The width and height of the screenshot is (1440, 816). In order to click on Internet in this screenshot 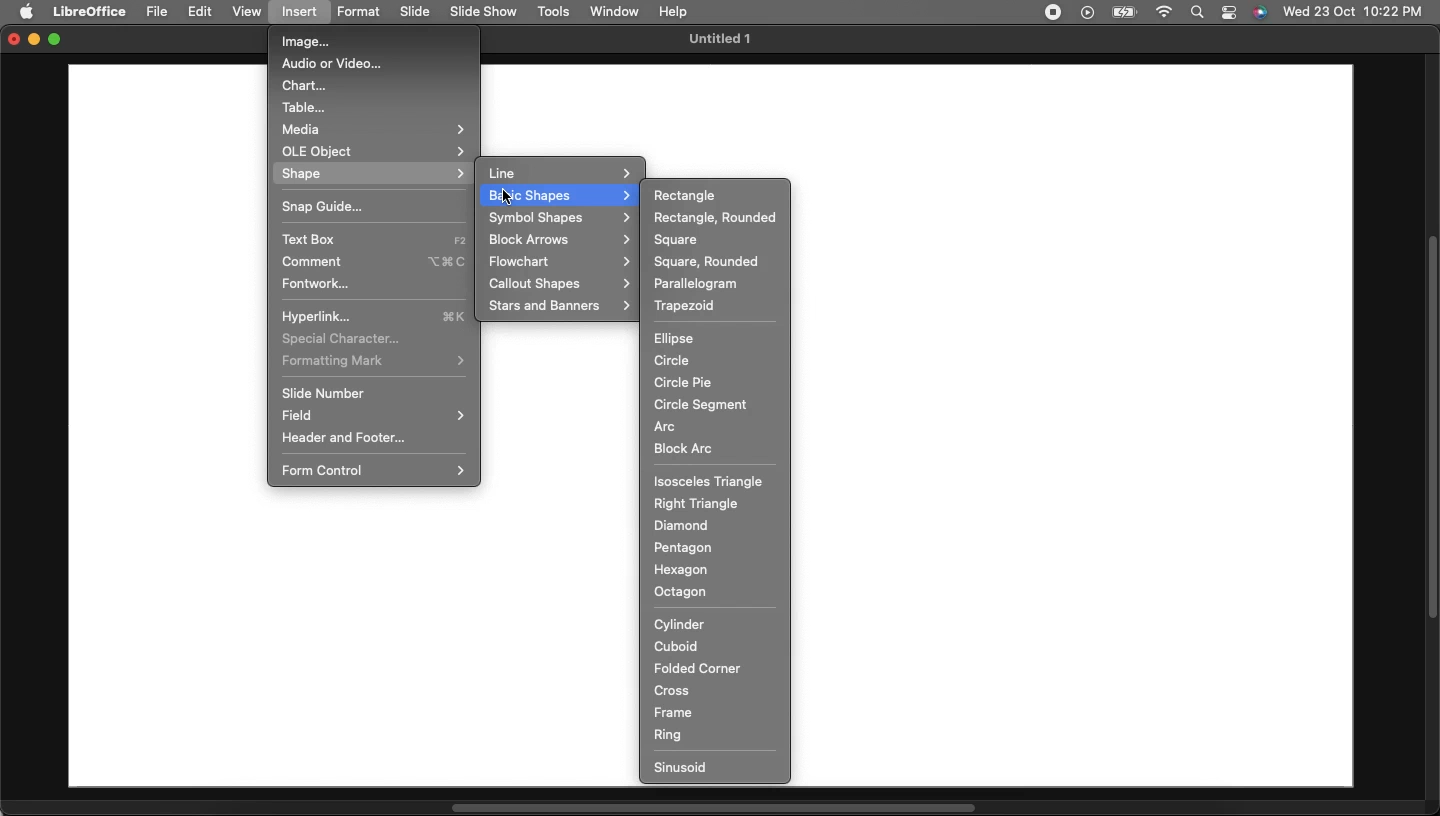, I will do `click(1163, 13)`.